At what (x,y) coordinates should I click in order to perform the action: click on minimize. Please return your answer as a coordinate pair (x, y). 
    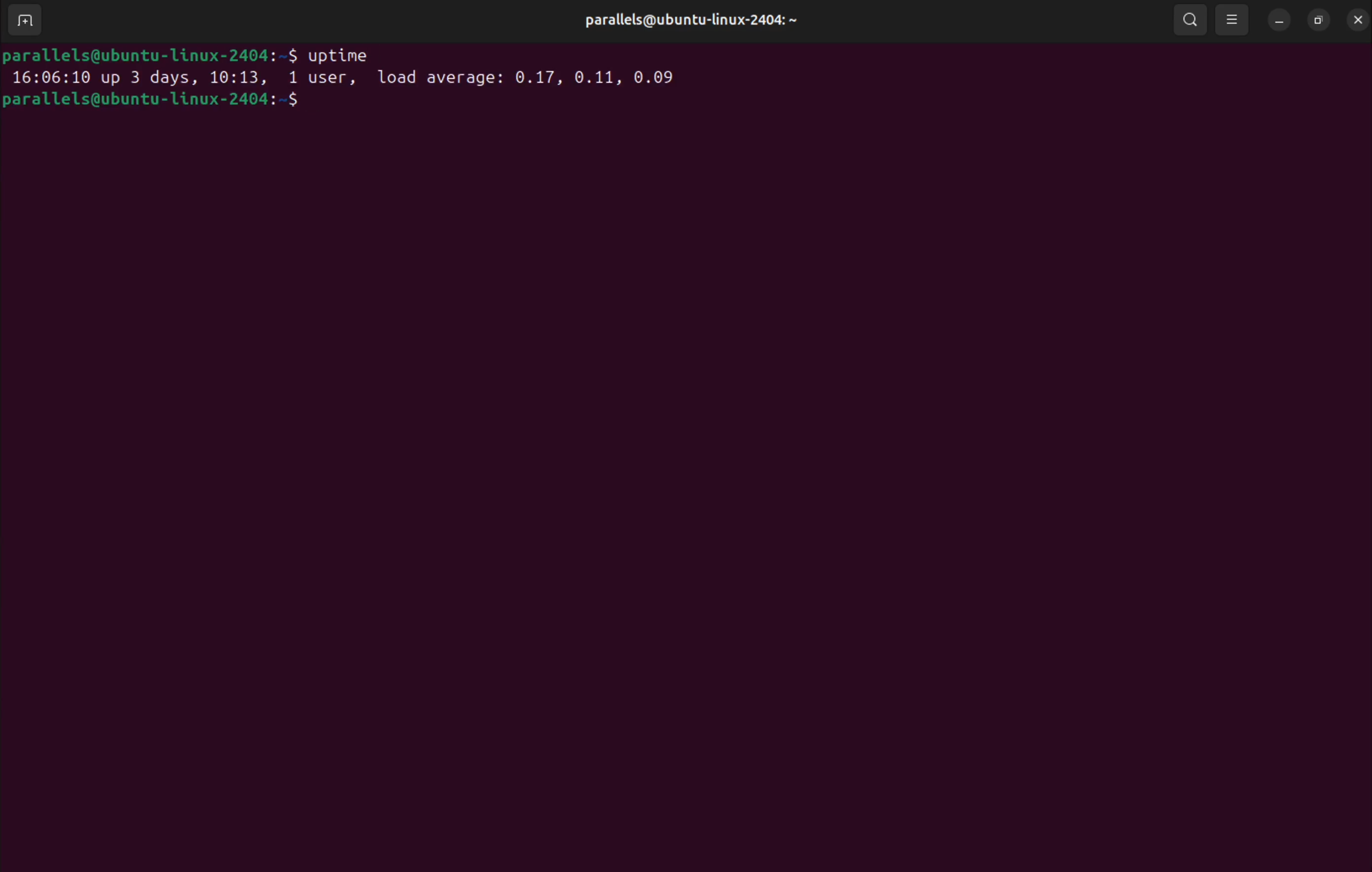
    Looking at the image, I should click on (1277, 21).